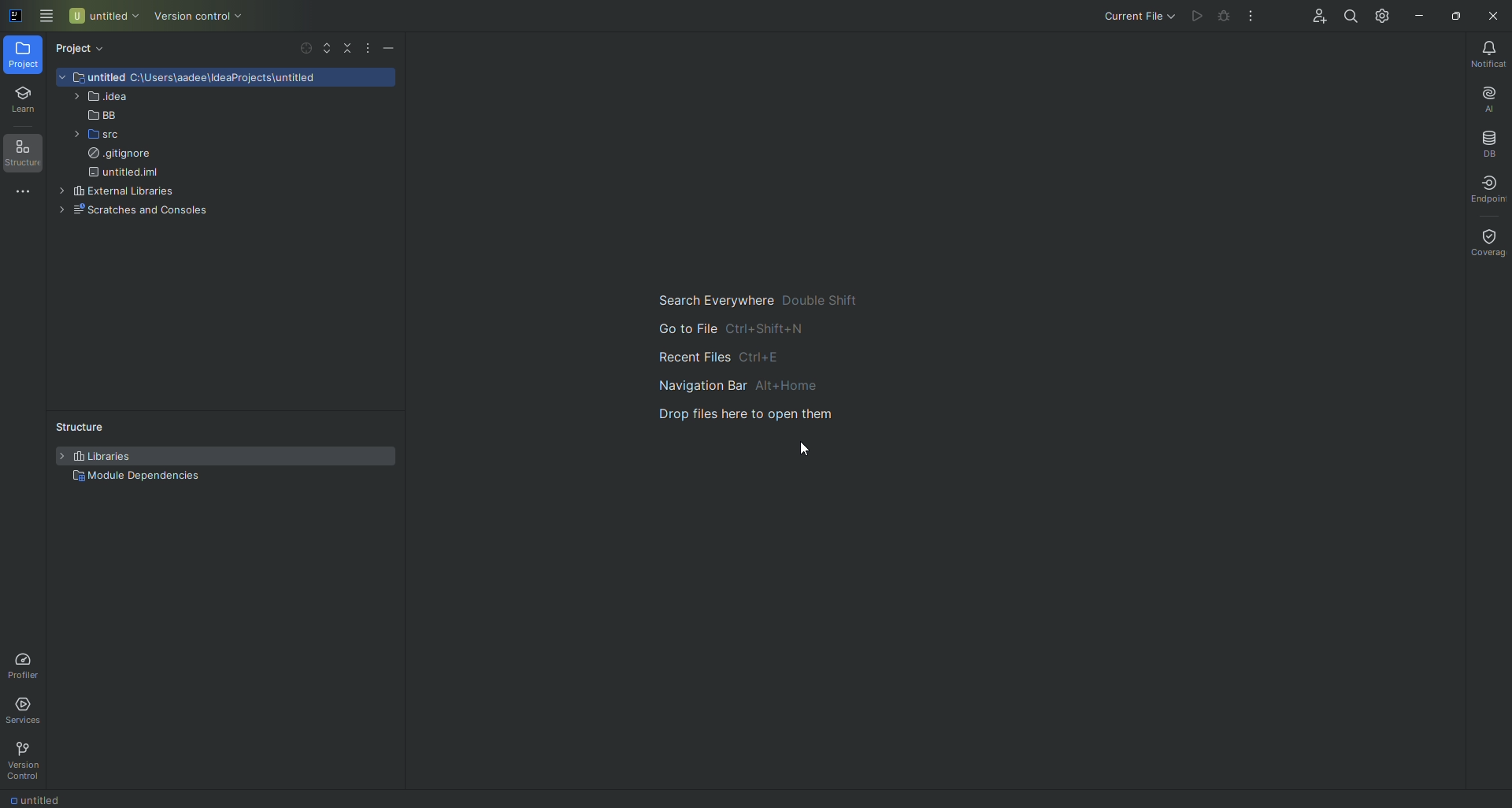 The image size is (1512, 808). Describe the element at coordinates (13, 22) in the screenshot. I see `Application icon` at that location.